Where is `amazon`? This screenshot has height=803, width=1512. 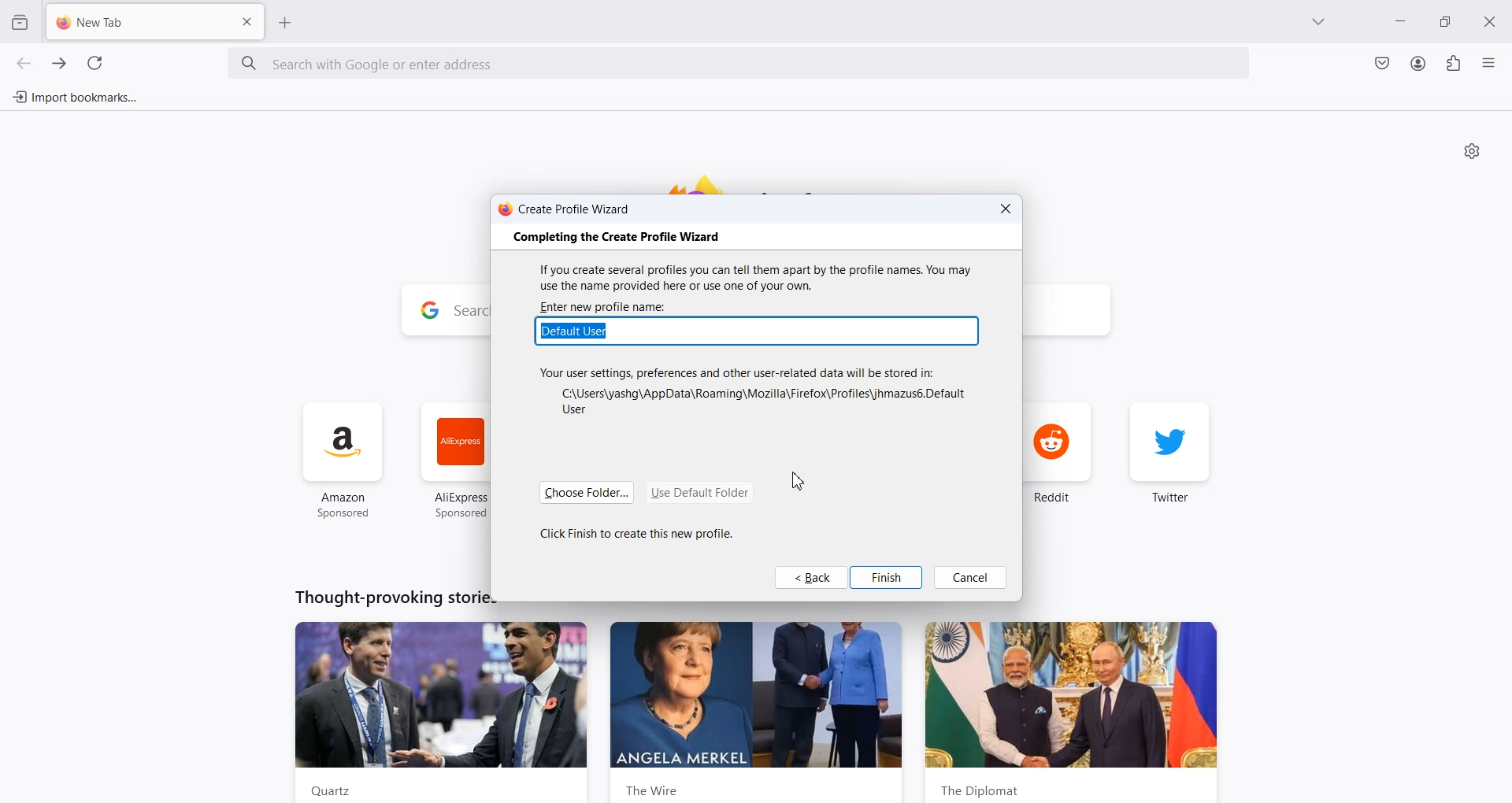
amazon is located at coordinates (346, 460).